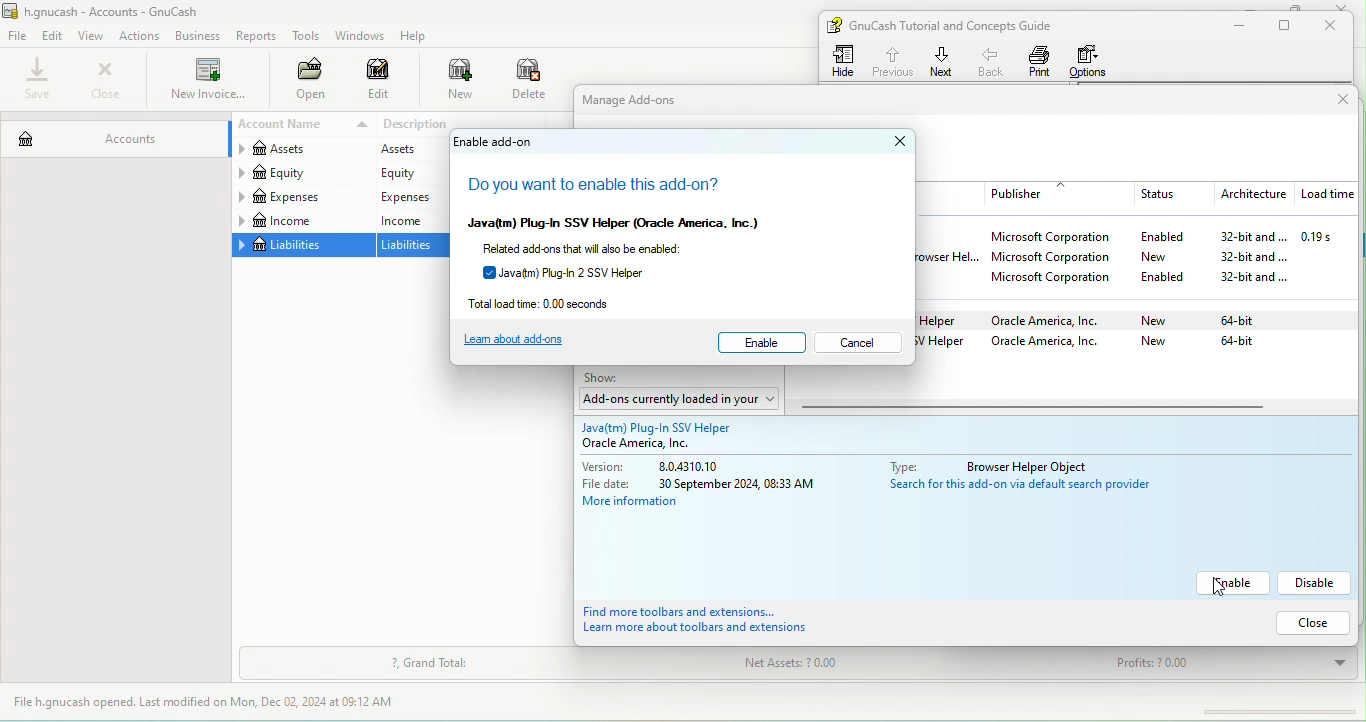 Image resolution: width=1366 pixels, height=722 pixels. What do you see at coordinates (603, 185) in the screenshot?
I see `do you want to enable this add on?` at bounding box center [603, 185].